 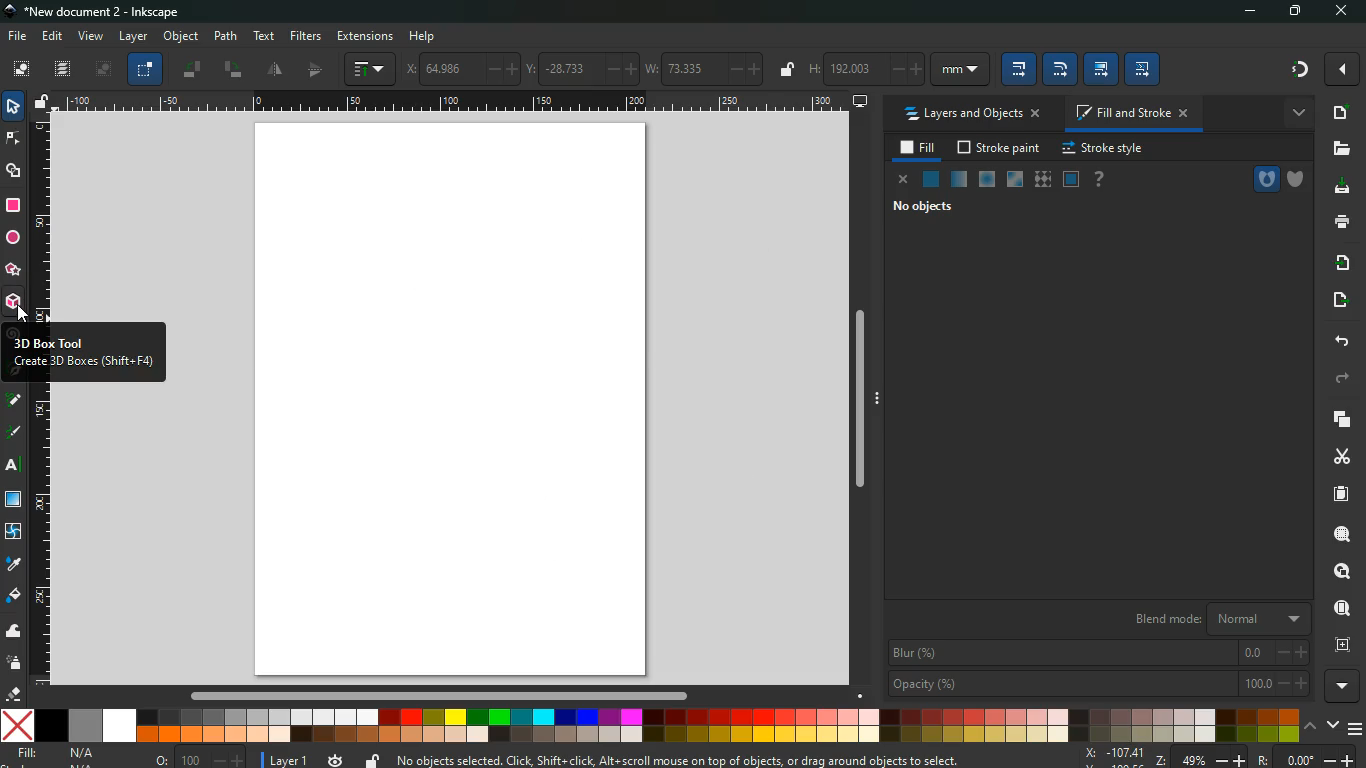 I want to click on download, so click(x=1338, y=187).